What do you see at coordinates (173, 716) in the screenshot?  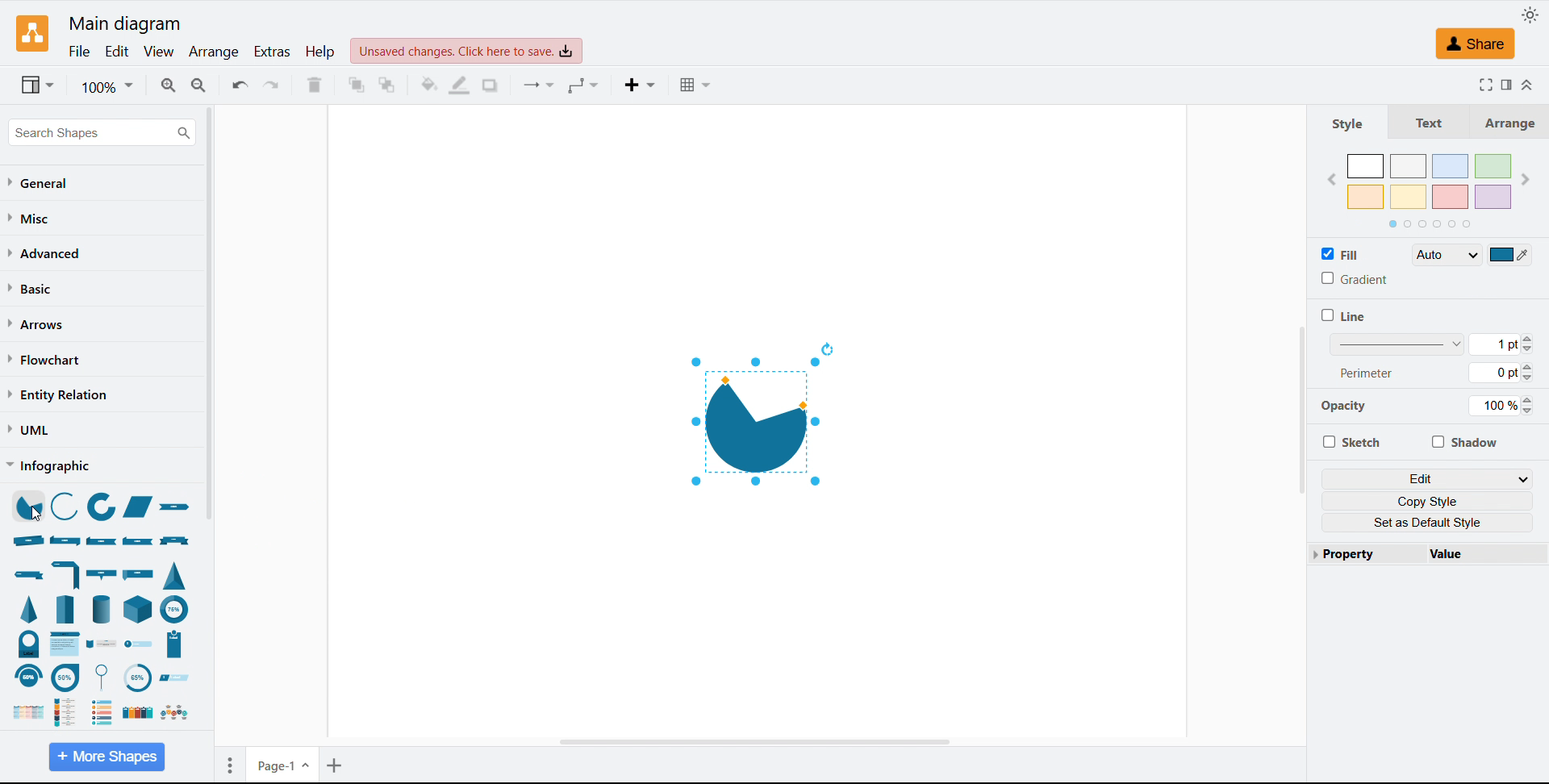 I see `roadmap horizontal` at bounding box center [173, 716].